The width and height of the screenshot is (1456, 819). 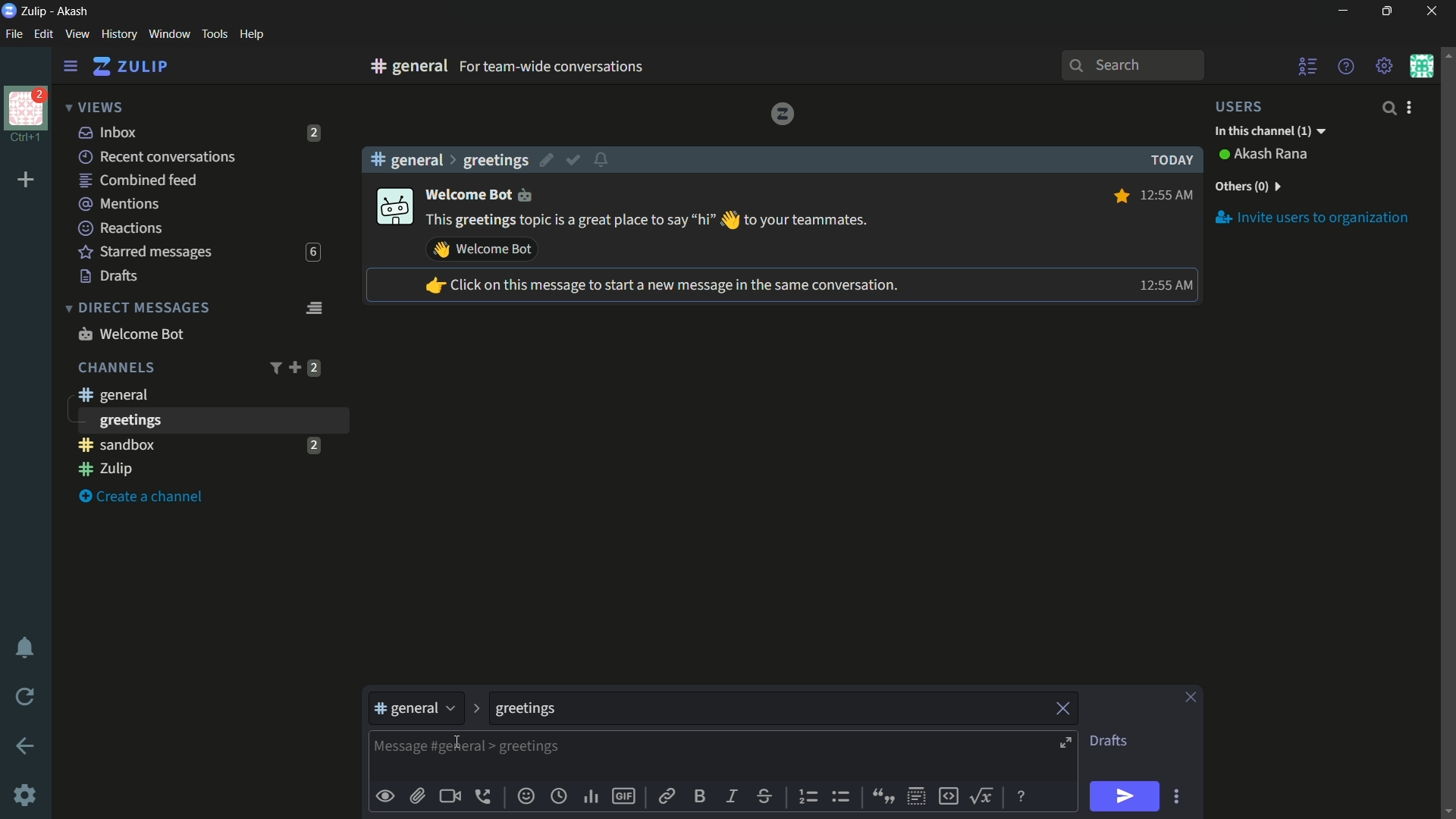 What do you see at coordinates (1270, 132) in the screenshot?
I see `in this channel` at bounding box center [1270, 132].